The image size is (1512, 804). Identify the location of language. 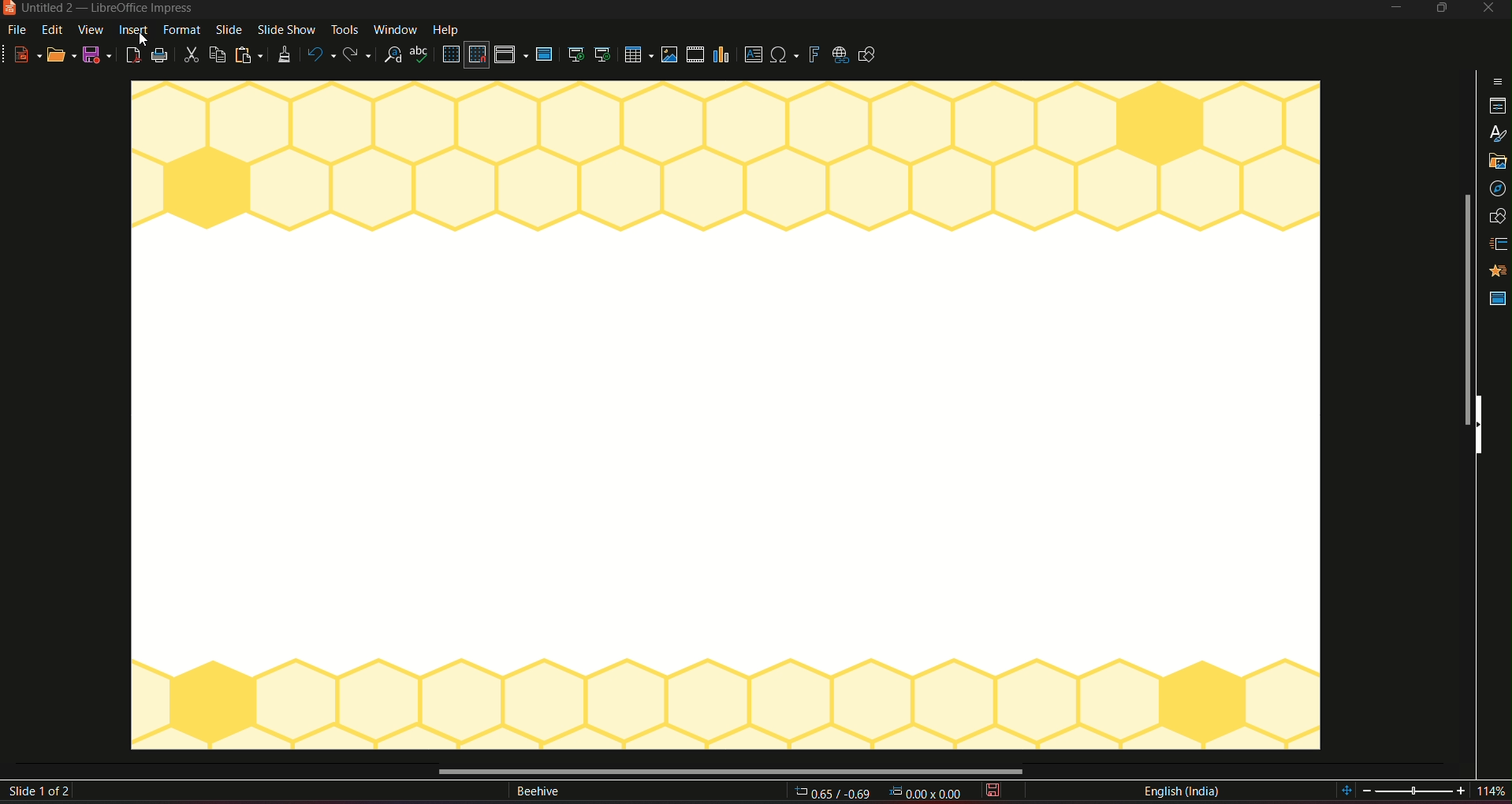
(1181, 791).